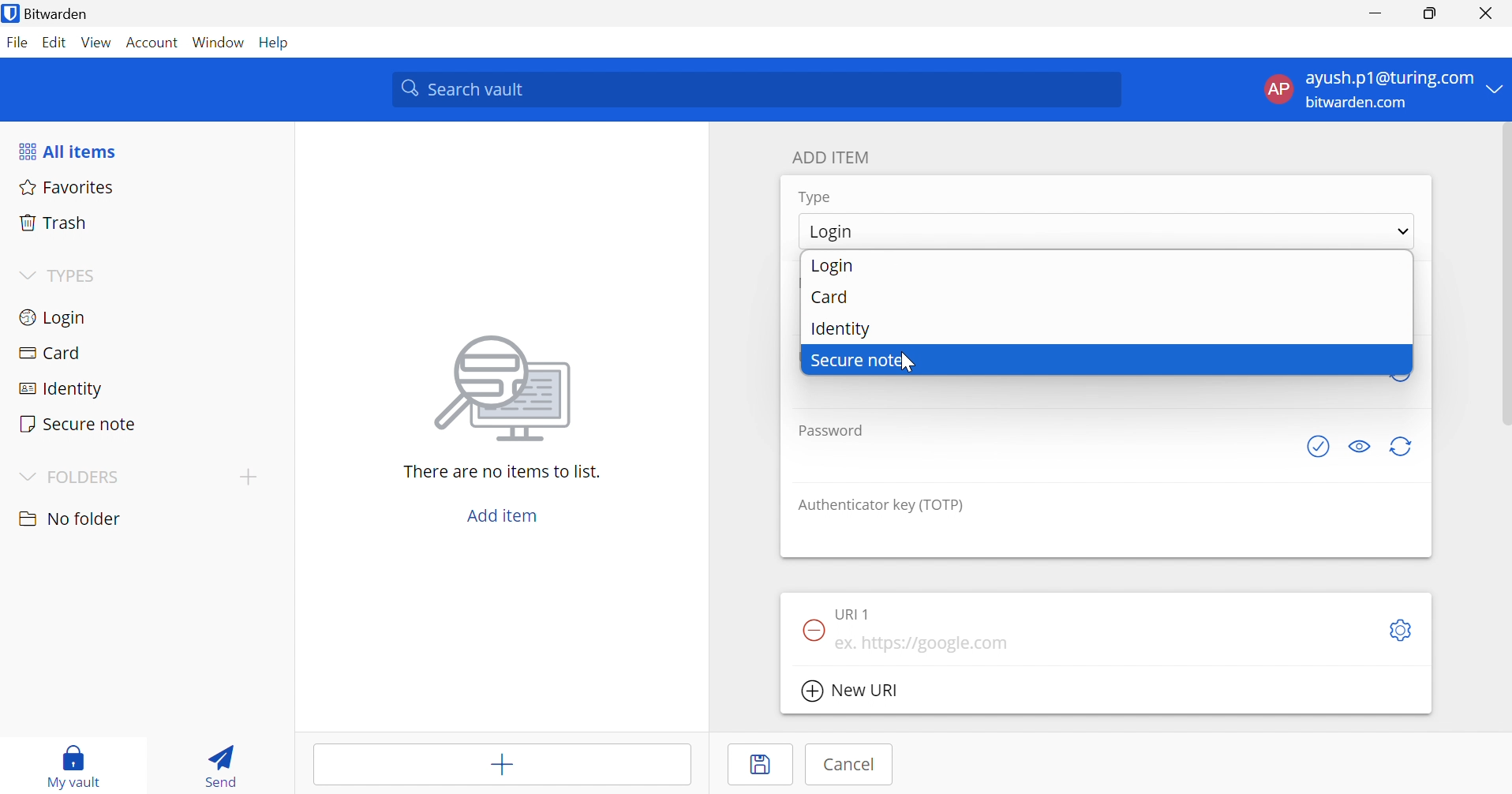 The height and width of the screenshot is (794, 1512). I want to click on Edit, so click(54, 41).